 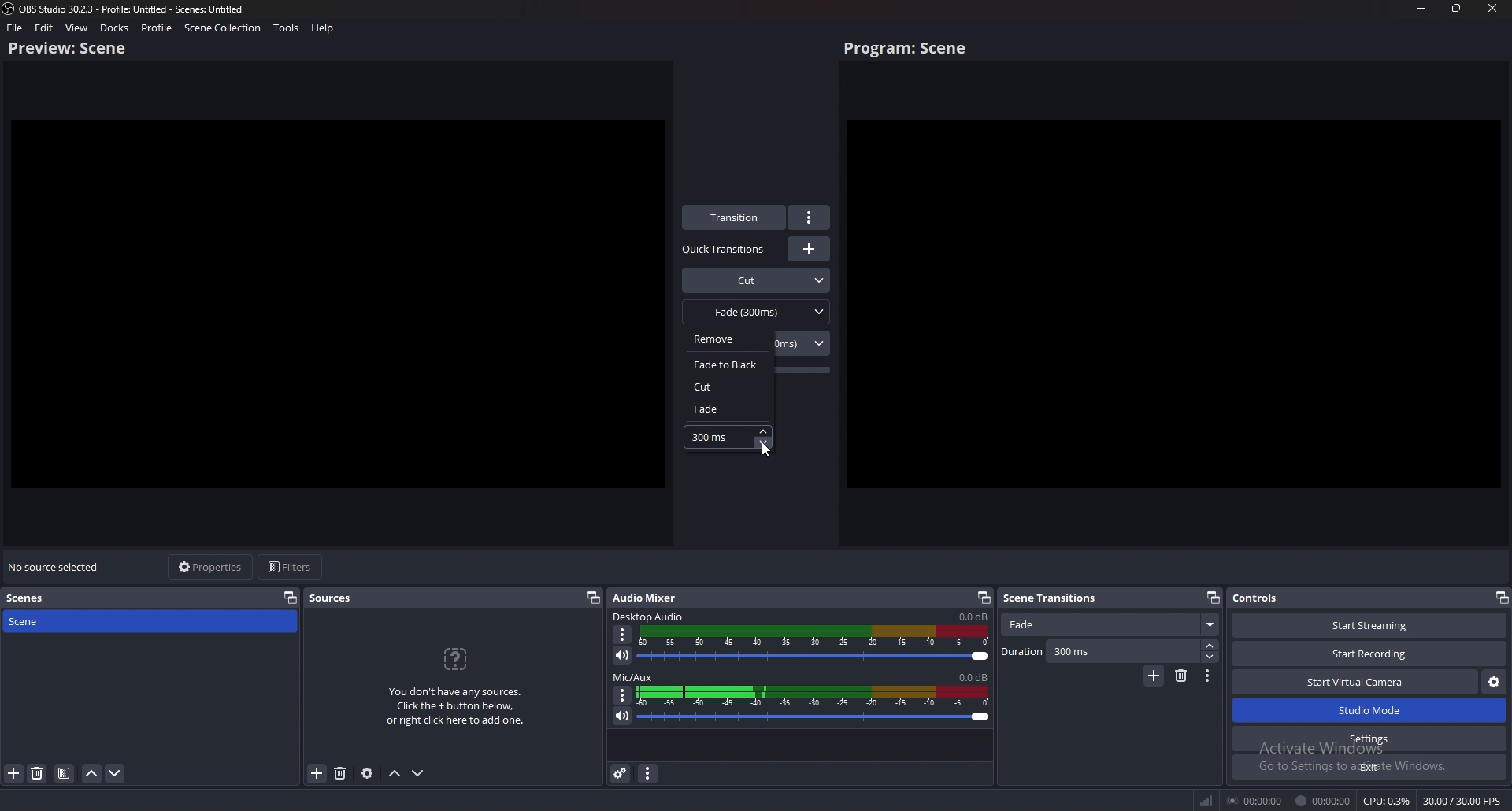 I want to click on Seen transitions , so click(x=1054, y=597).